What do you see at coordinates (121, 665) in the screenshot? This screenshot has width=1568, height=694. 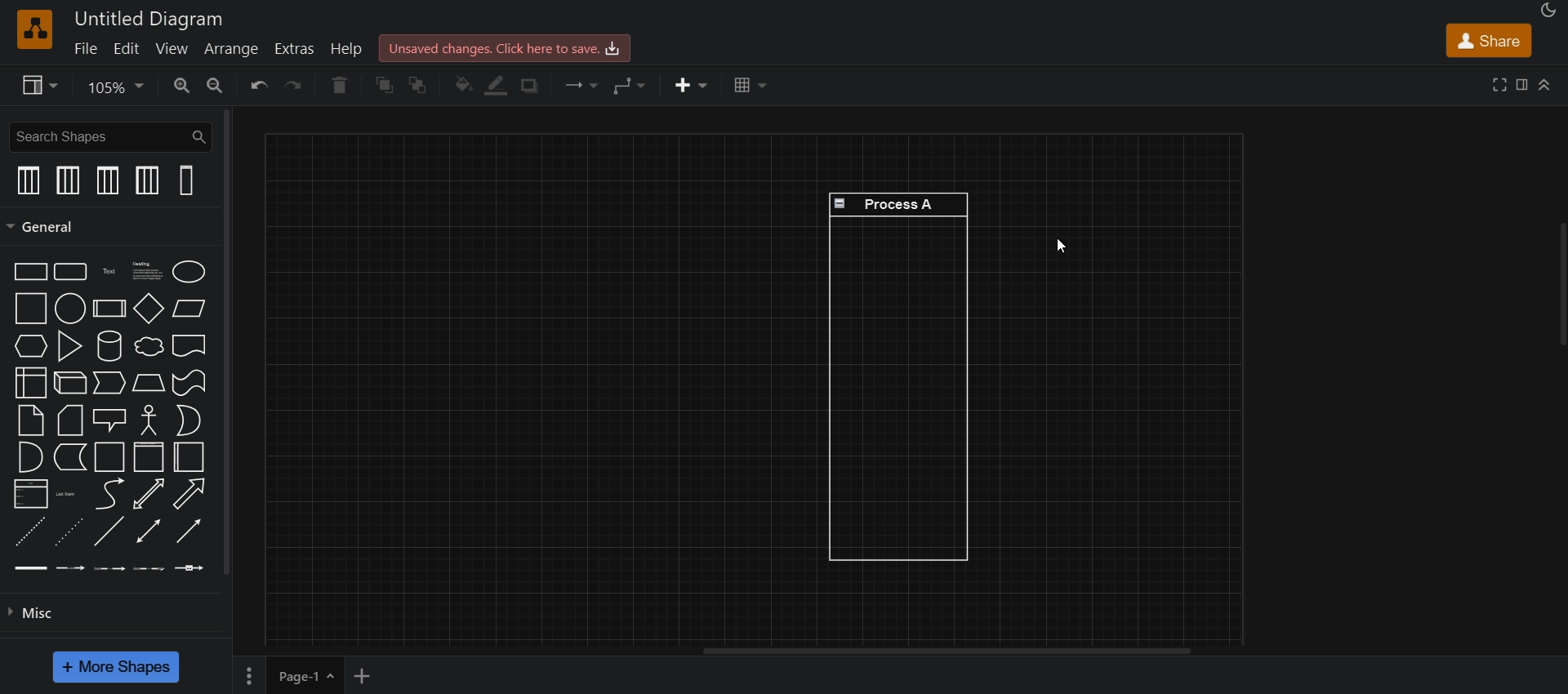 I see `more shapes` at bounding box center [121, 665].